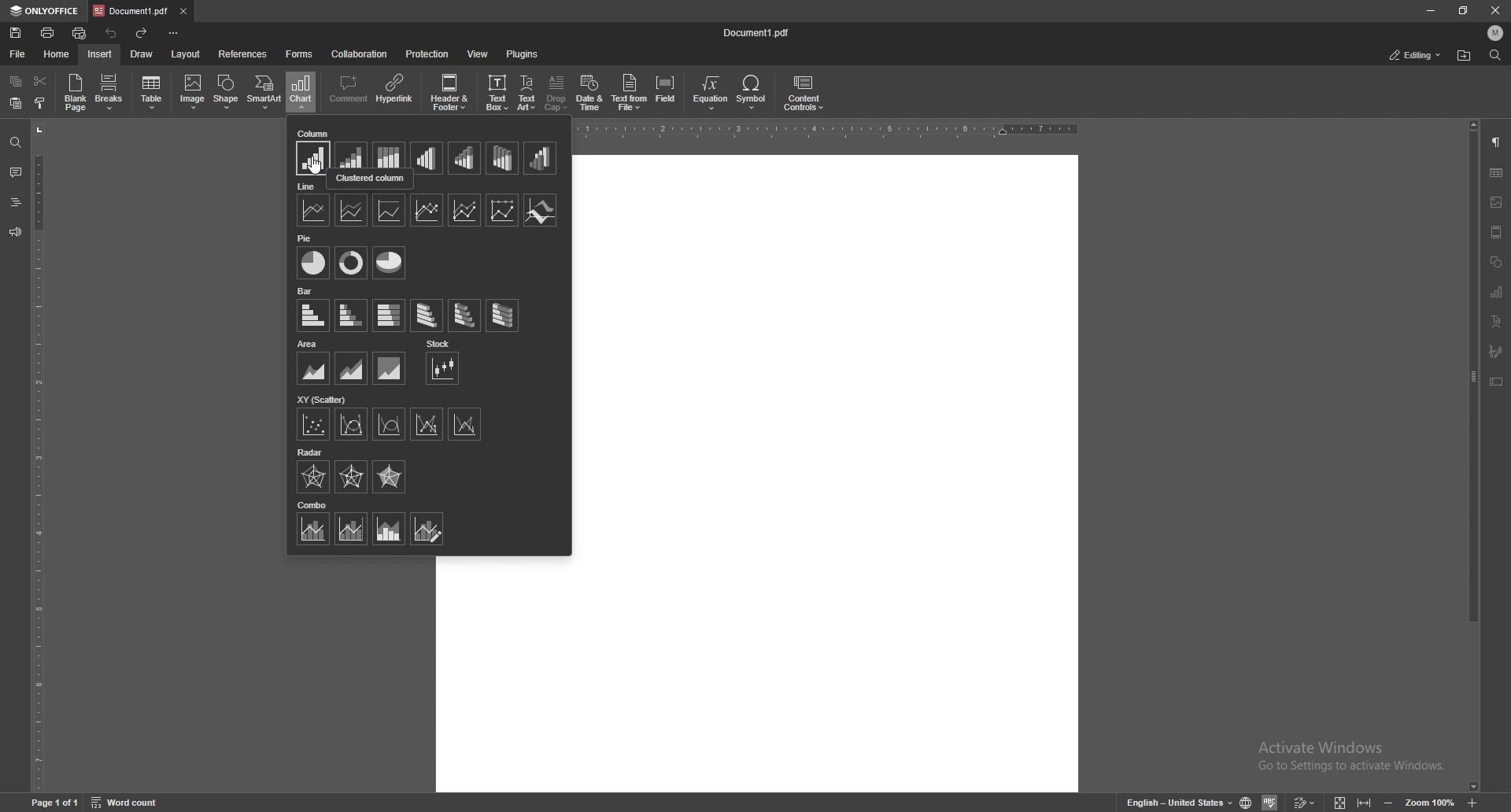  I want to click on text art, so click(526, 93).